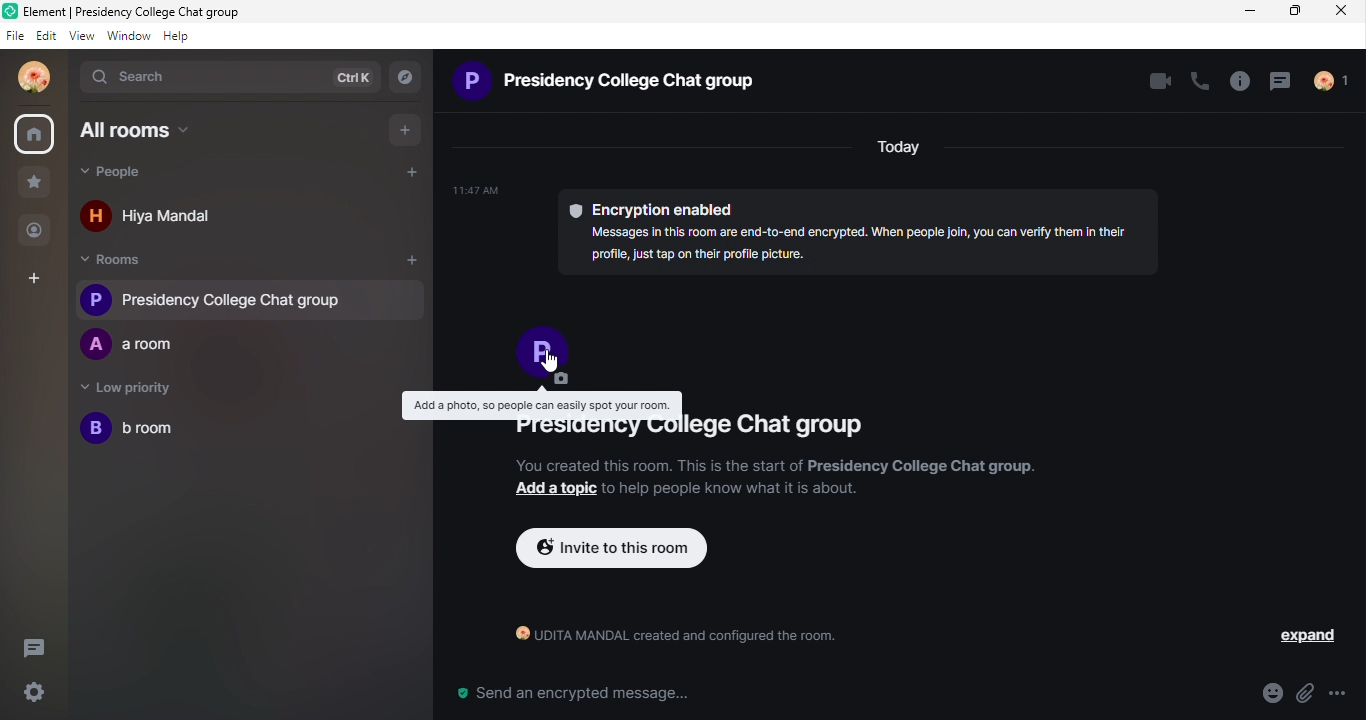 Image resolution: width=1366 pixels, height=720 pixels. What do you see at coordinates (409, 129) in the screenshot?
I see `add` at bounding box center [409, 129].